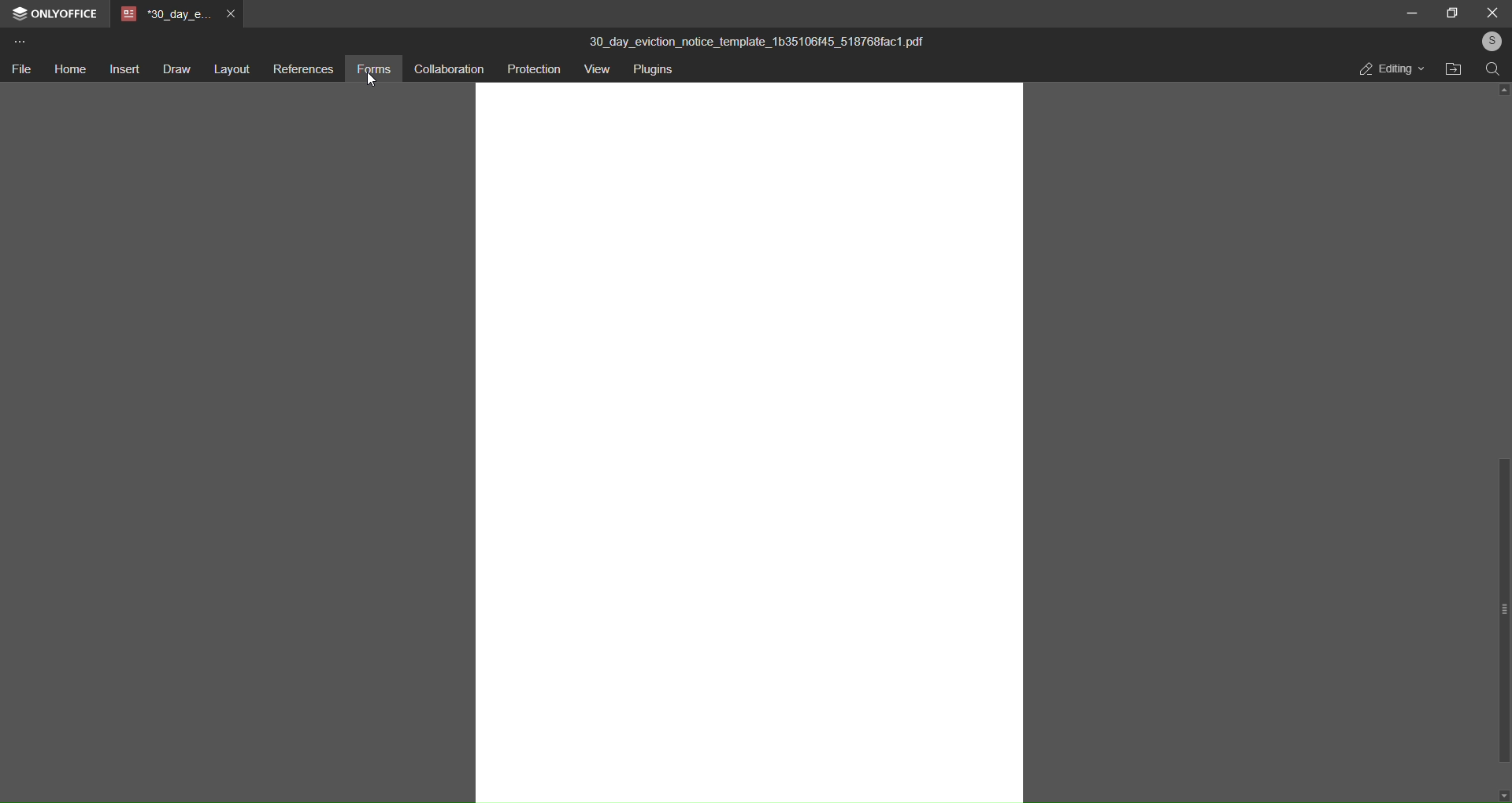 Image resolution: width=1512 pixels, height=803 pixels. I want to click on insert, so click(122, 70).